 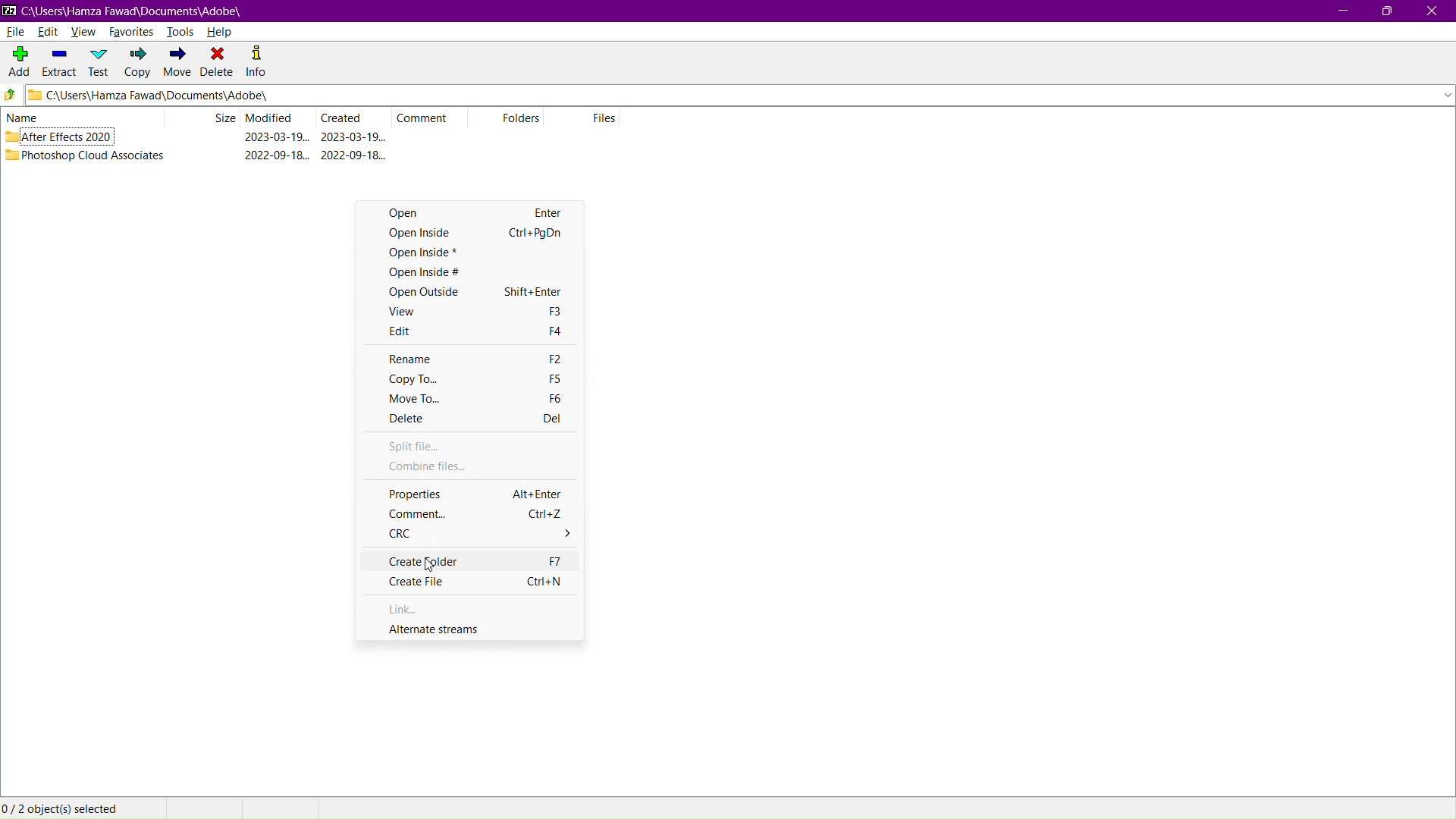 I want to click on Combine files, so click(x=470, y=469).